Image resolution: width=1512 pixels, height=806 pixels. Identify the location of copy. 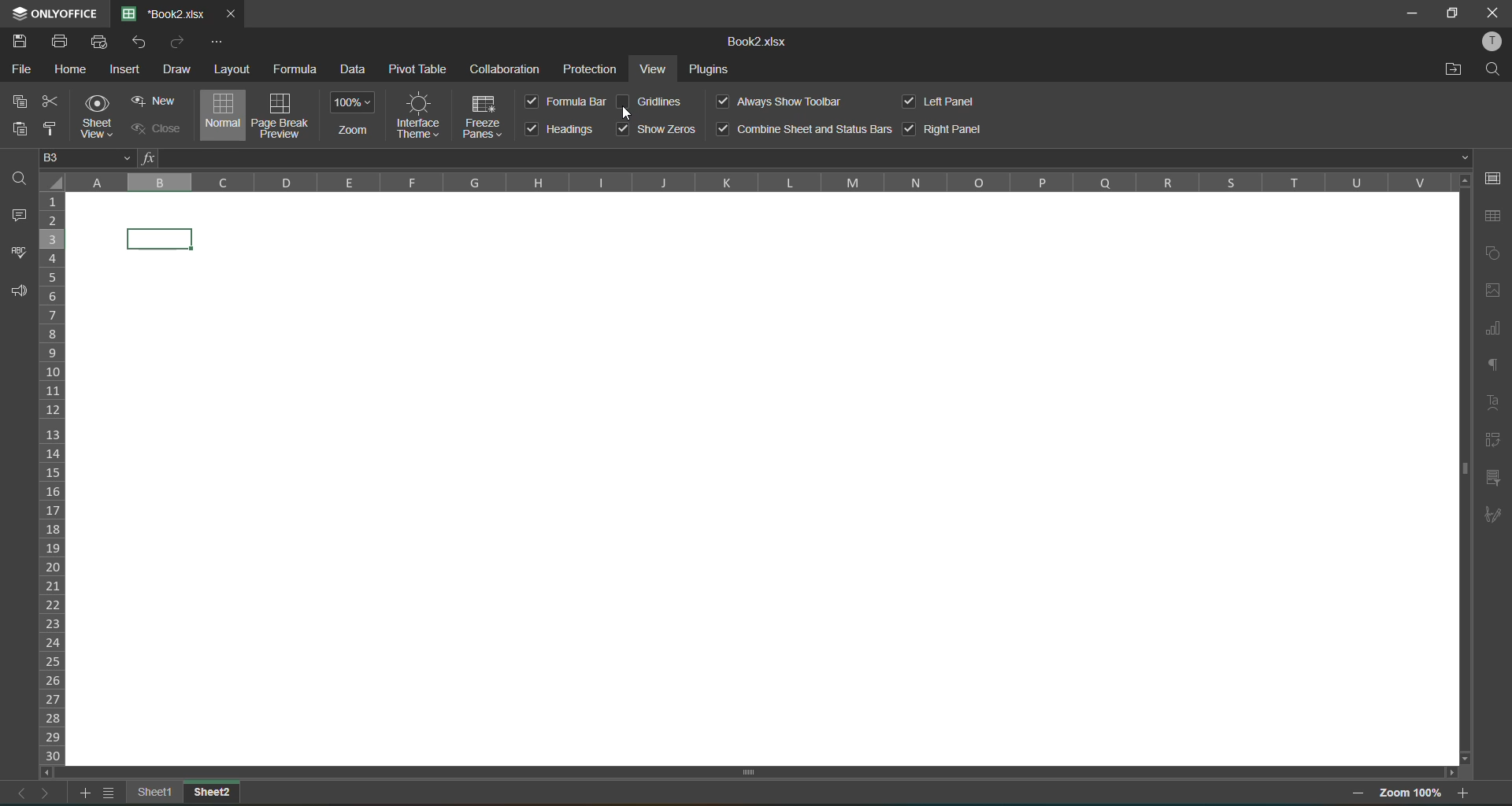
(24, 102).